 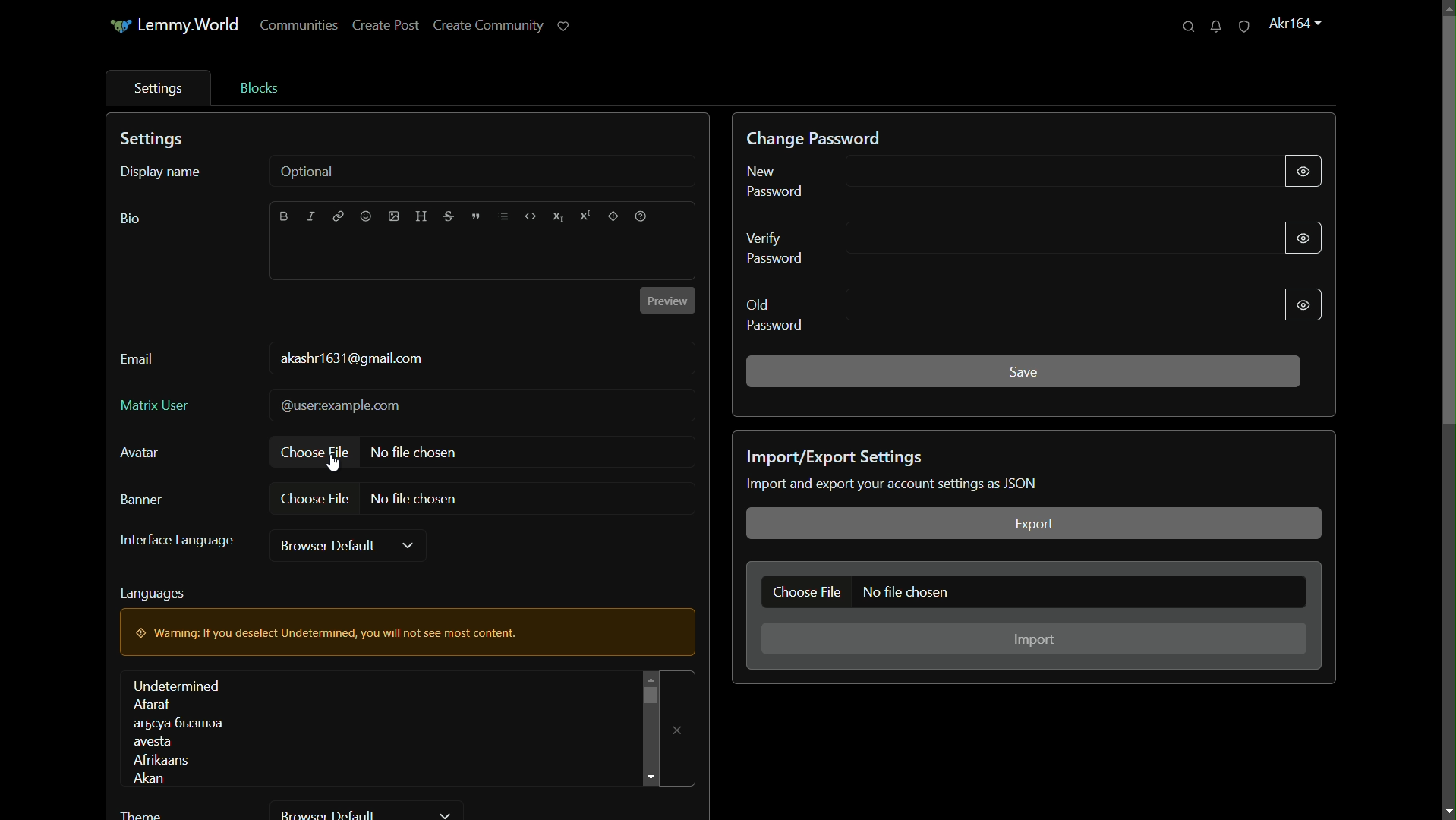 What do you see at coordinates (585, 216) in the screenshot?
I see `superscript` at bounding box center [585, 216].